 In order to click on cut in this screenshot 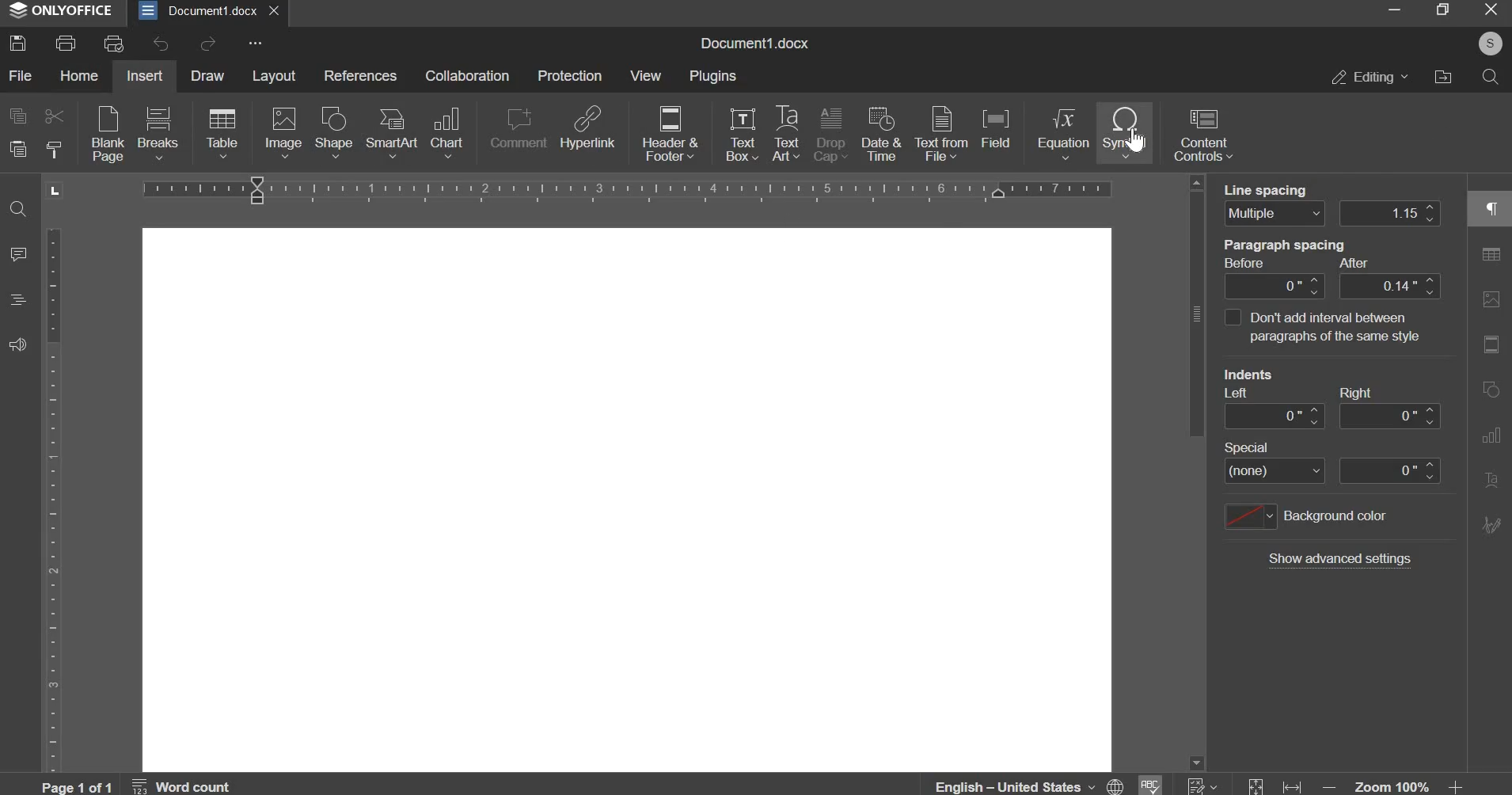, I will do `click(56, 116)`.